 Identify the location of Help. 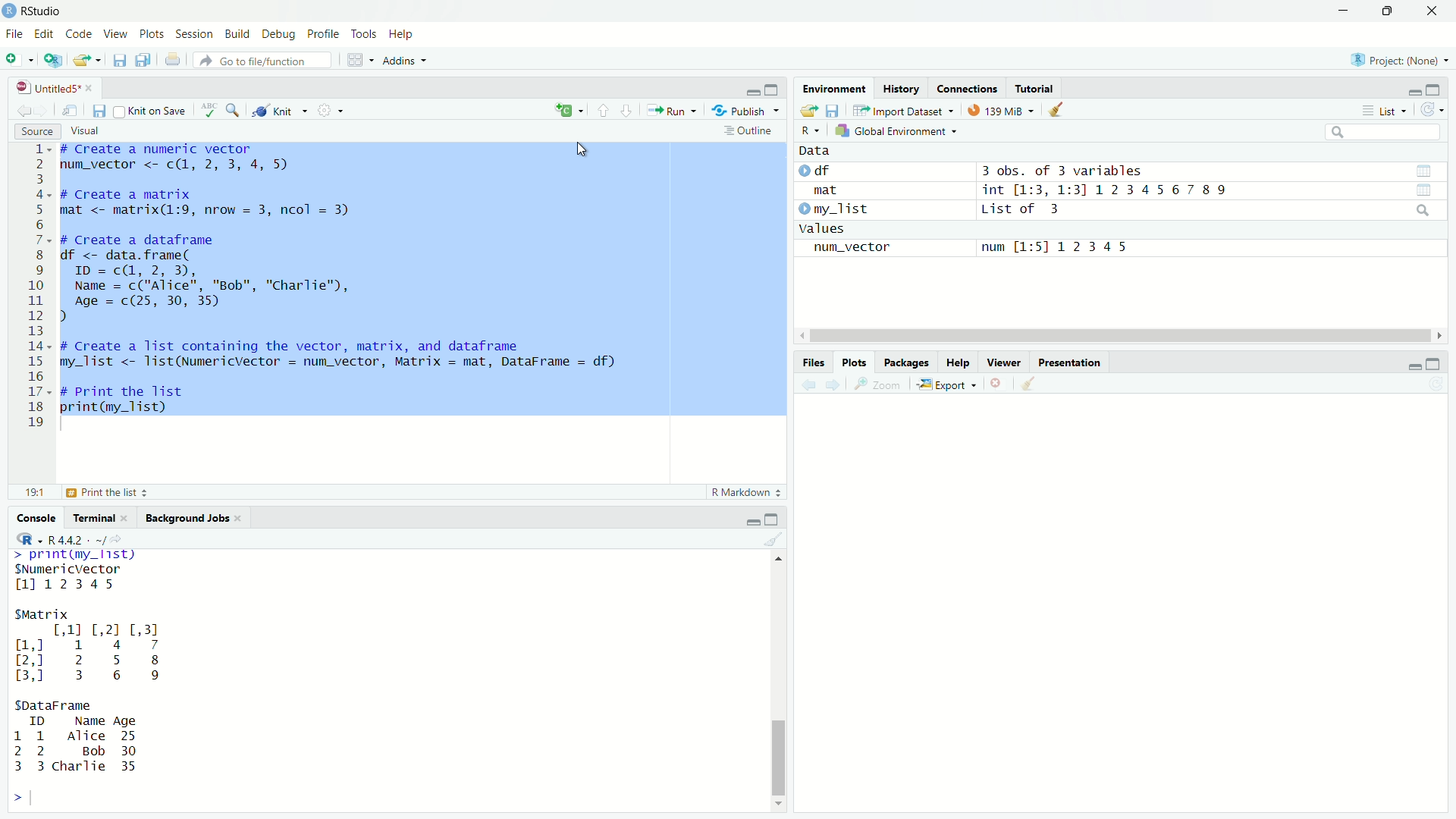
(403, 35).